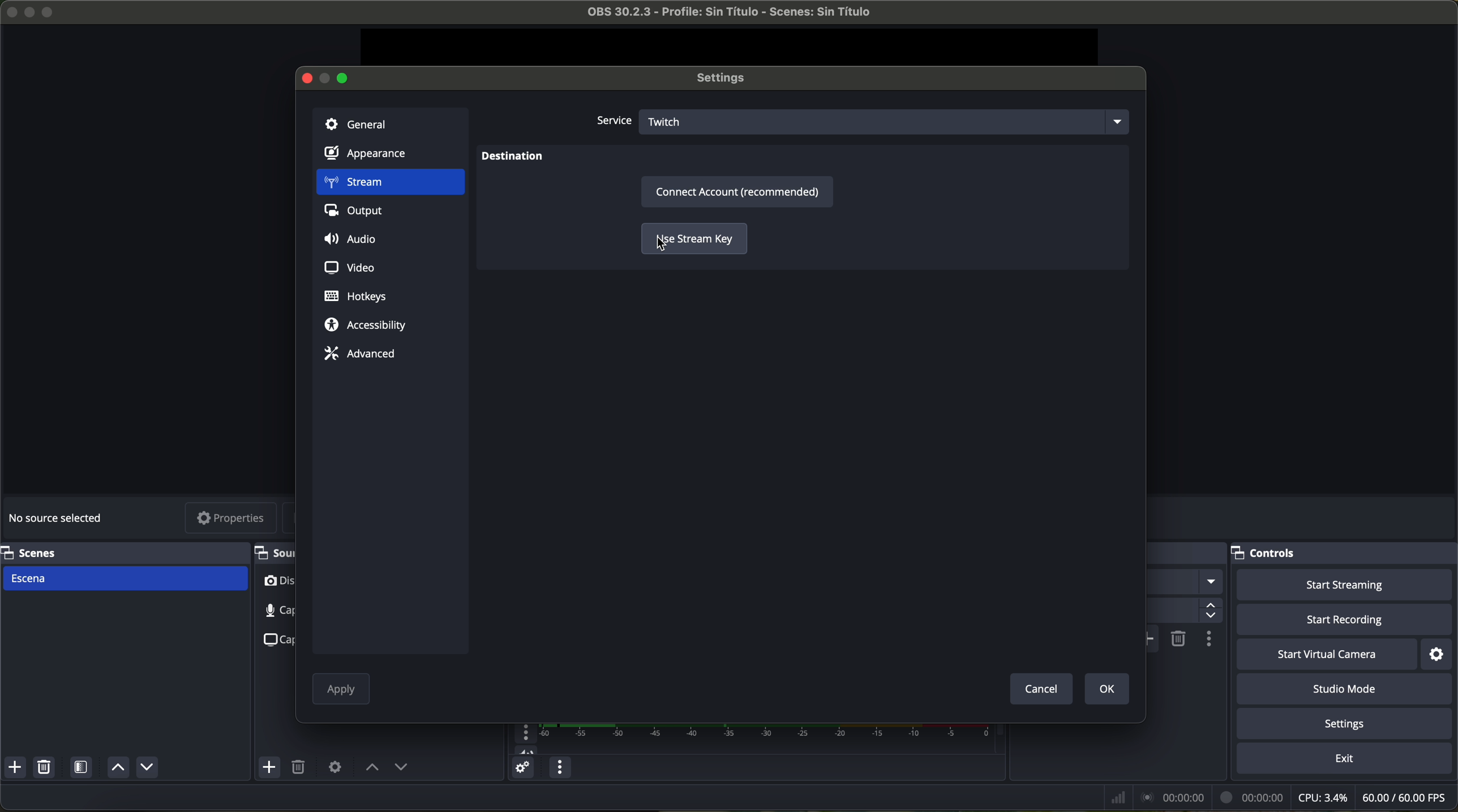 This screenshot has width=1458, height=812. I want to click on screenshot, so click(276, 639).